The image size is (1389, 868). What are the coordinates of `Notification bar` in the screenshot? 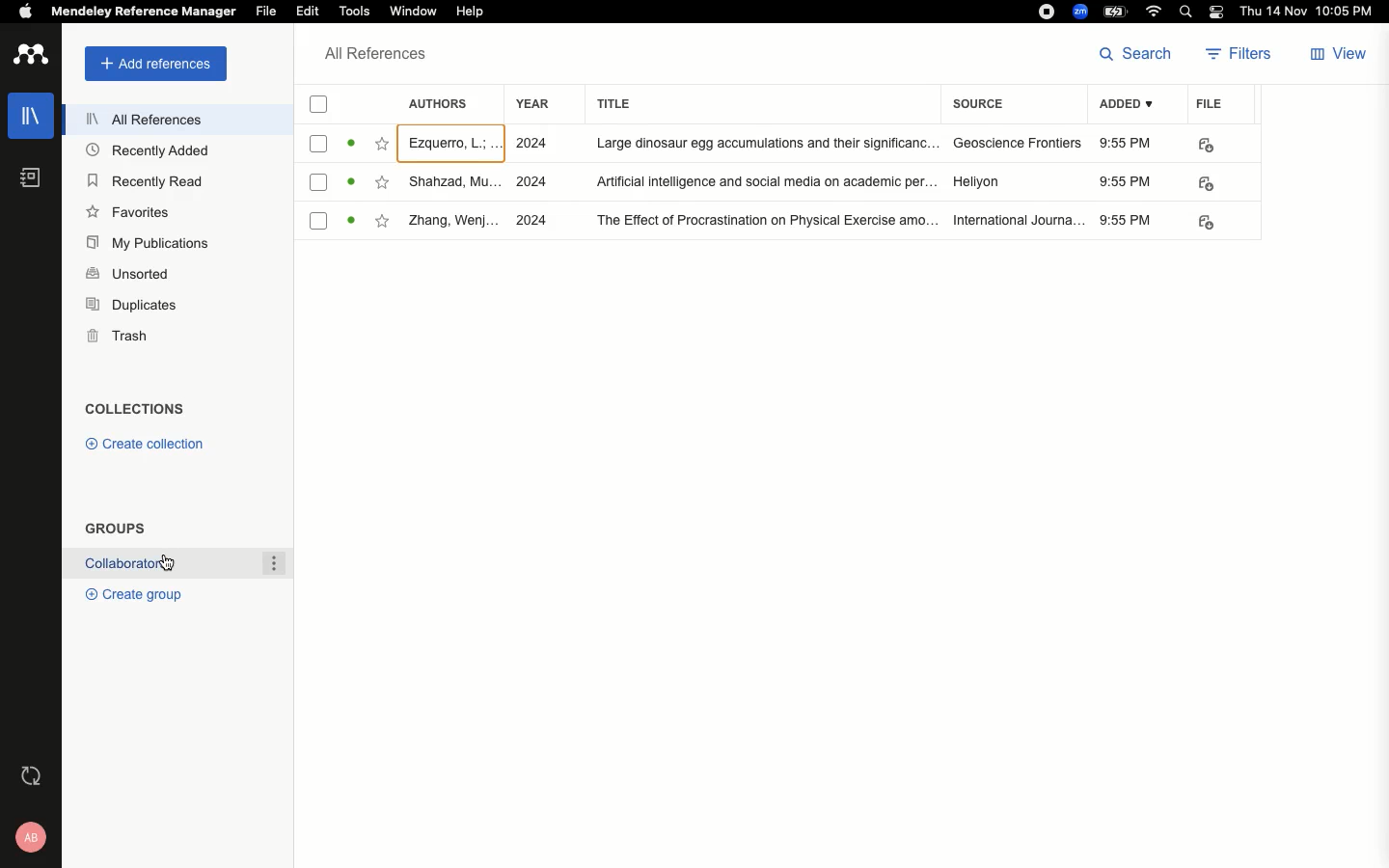 It's located at (1217, 14).